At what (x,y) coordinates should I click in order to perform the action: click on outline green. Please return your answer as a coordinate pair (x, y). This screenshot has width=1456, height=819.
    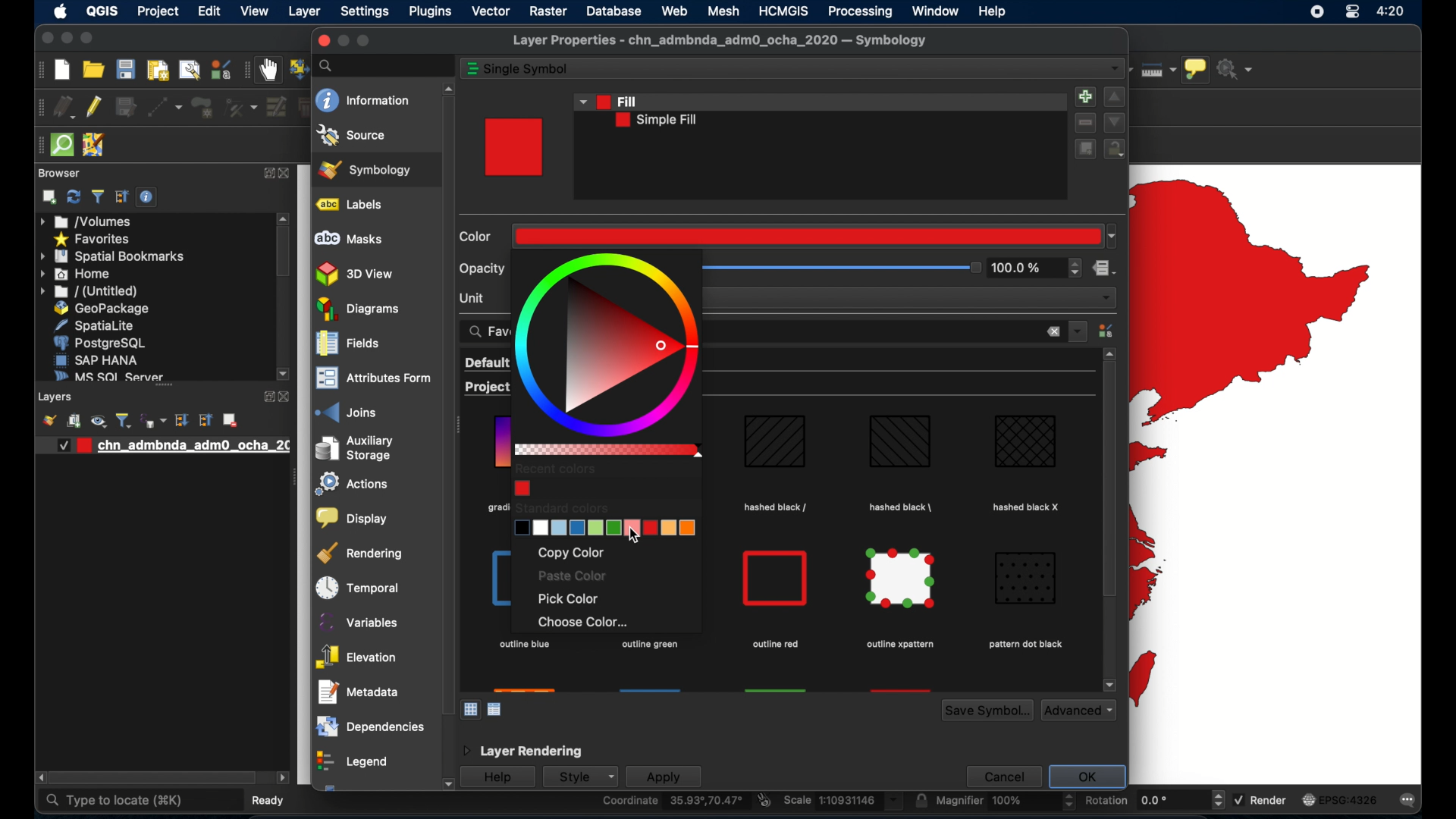
    Looking at the image, I should click on (651, 643).